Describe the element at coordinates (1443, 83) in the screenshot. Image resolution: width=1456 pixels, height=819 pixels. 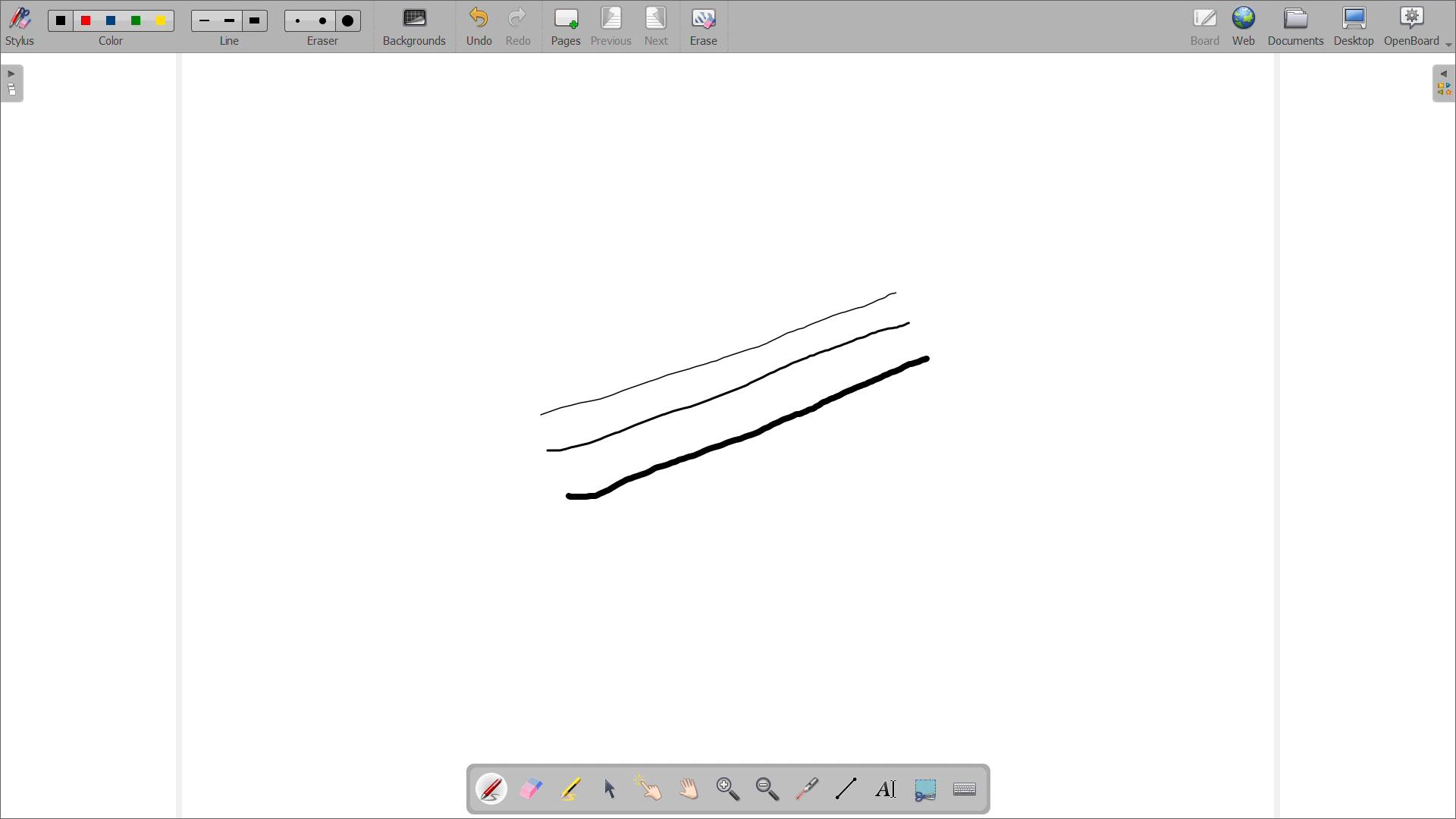
I see `open folder view` at that location.